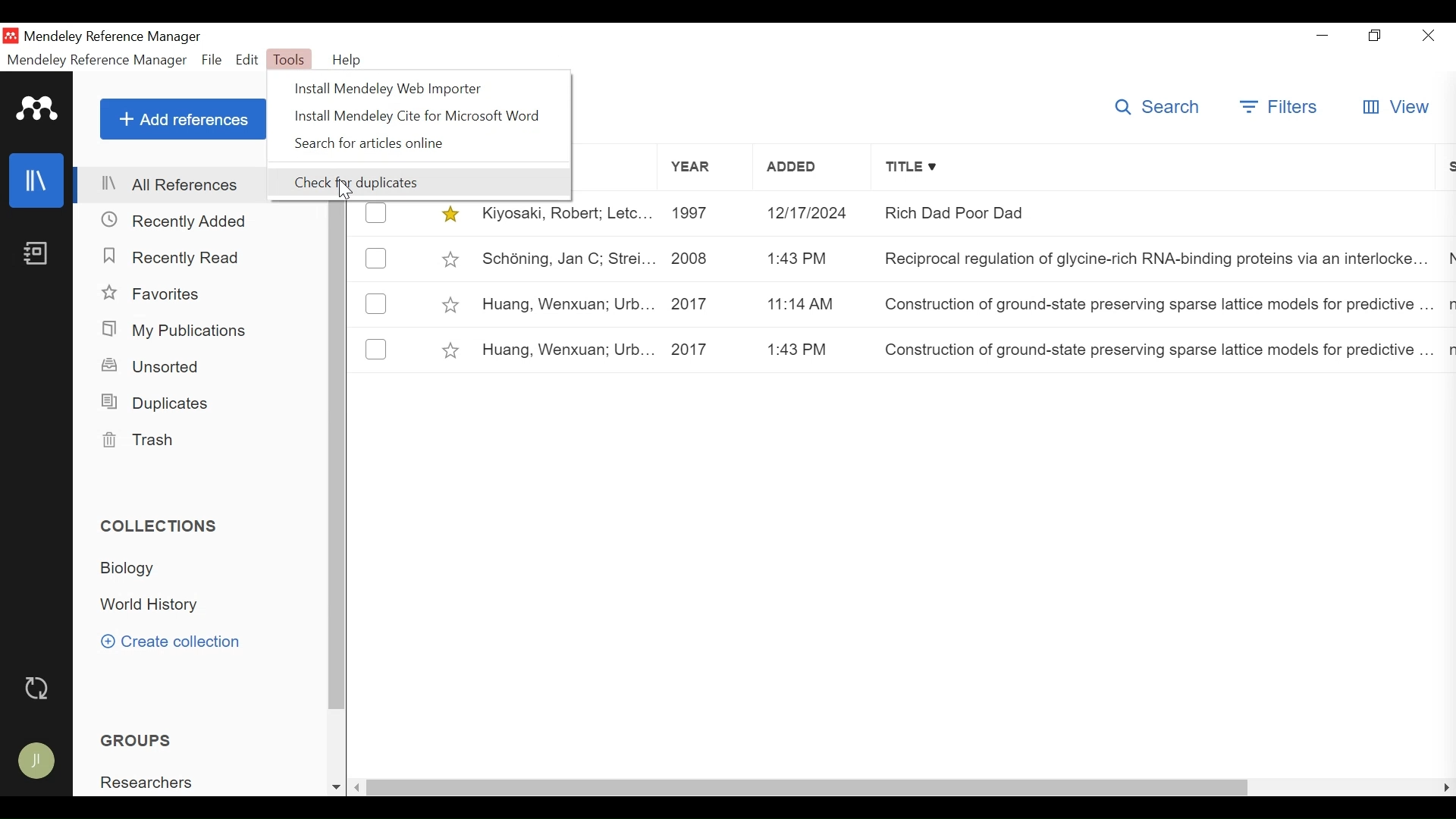 This screenshot has width=1456, height=819. What do you see at coordinates (377, 349) in the screenshot?
I see `(un)select` at bounding box center [377, 349].